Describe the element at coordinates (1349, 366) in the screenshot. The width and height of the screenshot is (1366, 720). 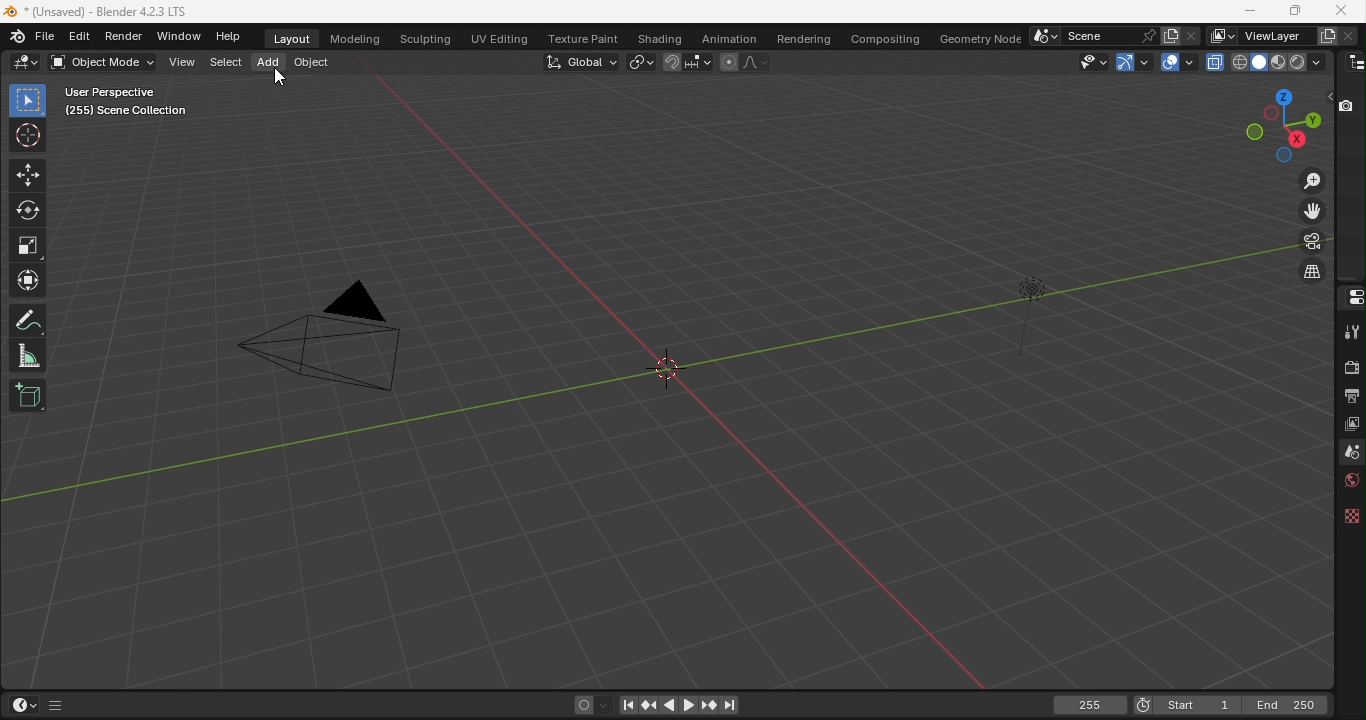
I see `Render` at that location.